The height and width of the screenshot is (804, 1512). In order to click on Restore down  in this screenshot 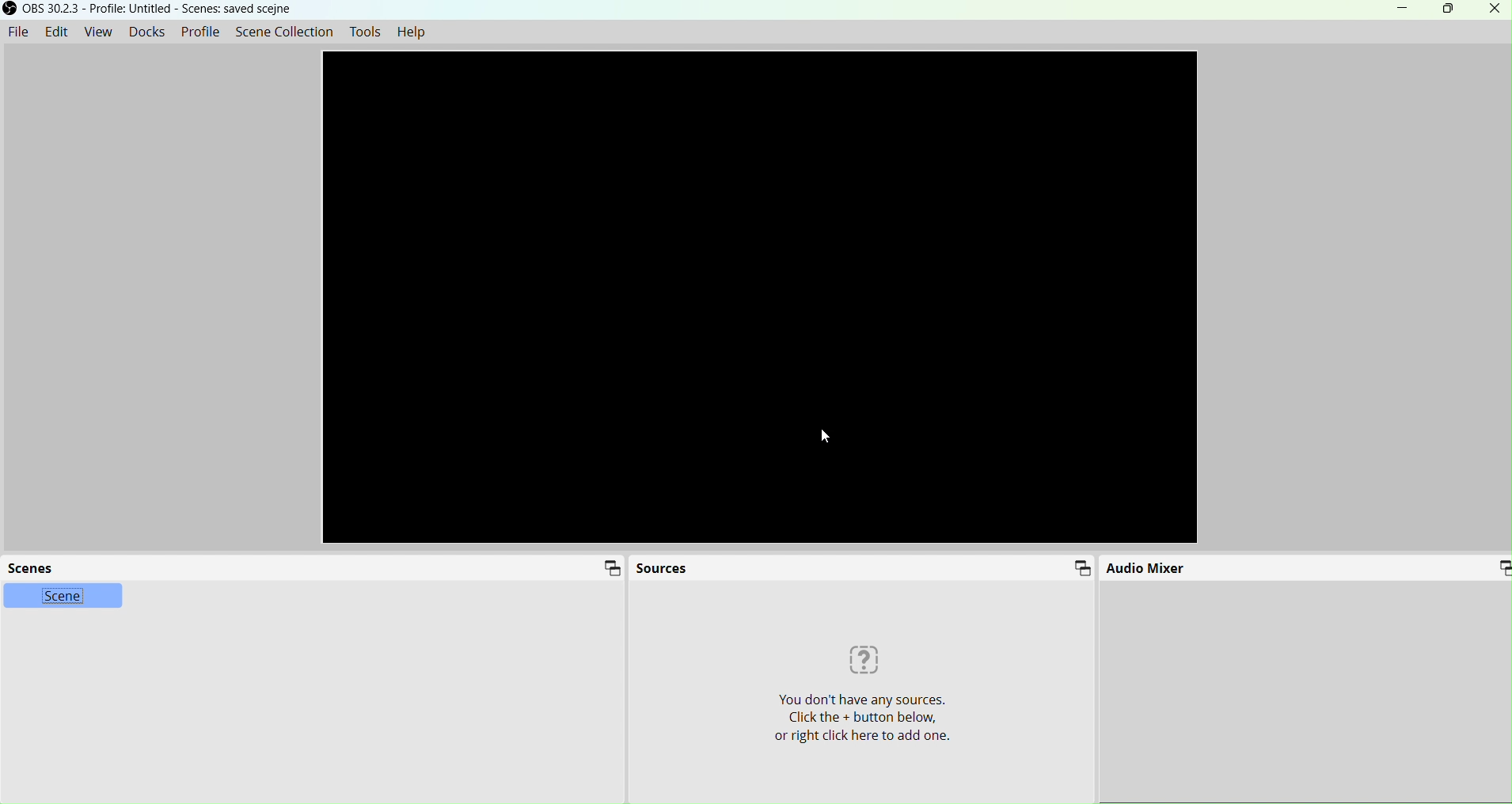, I will do `click(1446, 10)`.